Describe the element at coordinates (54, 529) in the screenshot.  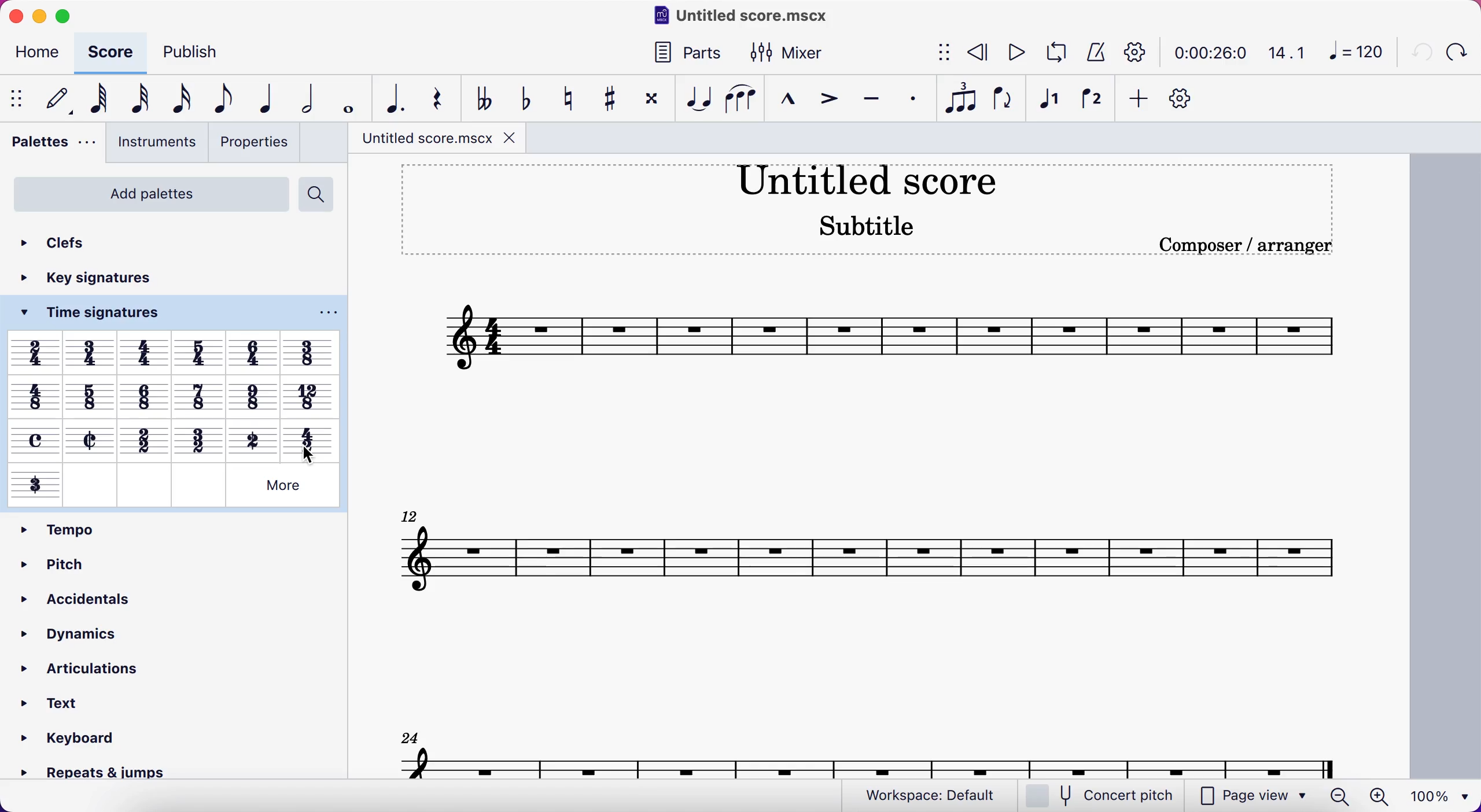
I see `tempo` at that location.